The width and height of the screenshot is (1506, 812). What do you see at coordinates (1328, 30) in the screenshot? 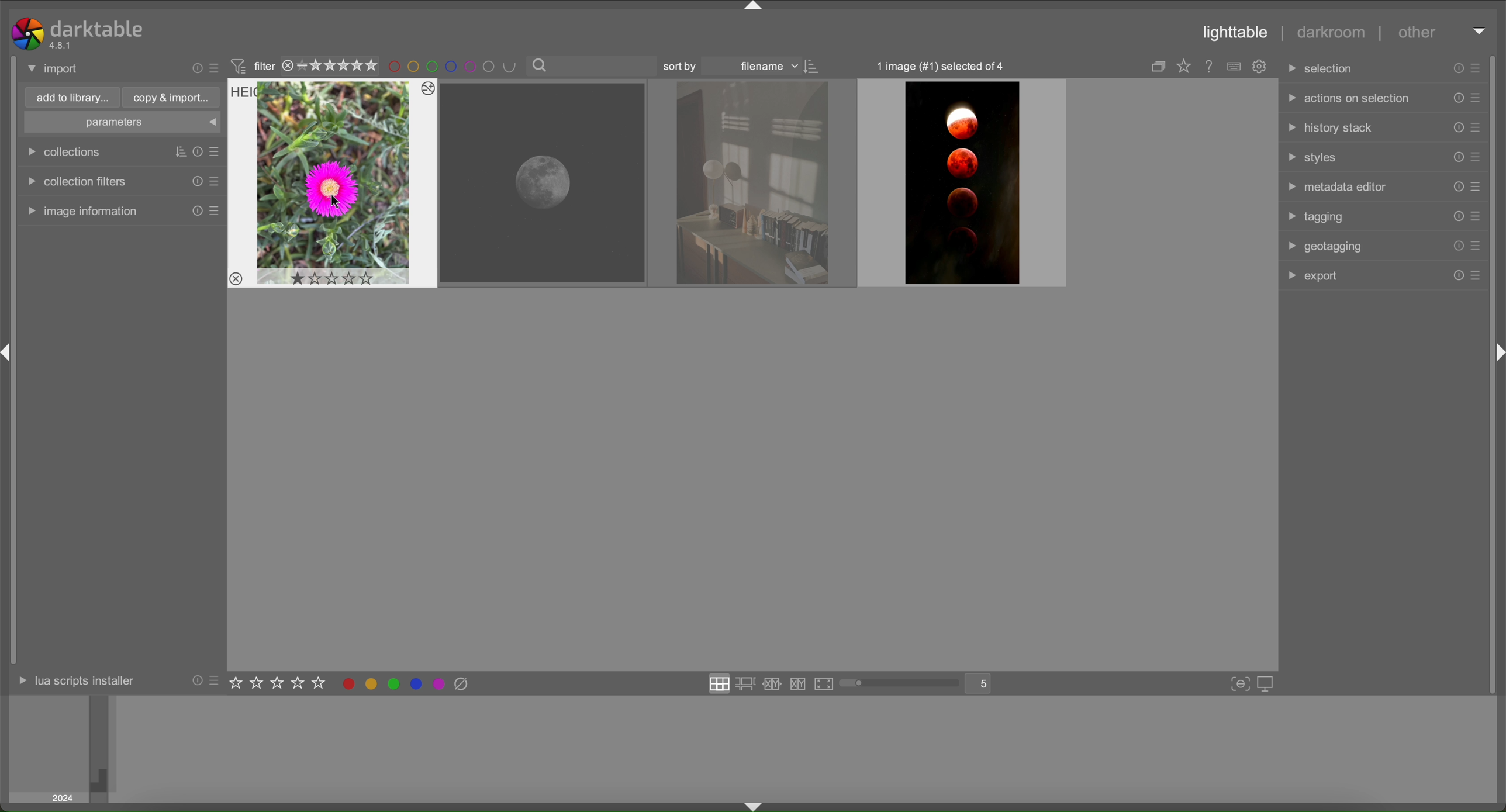
I see `darkroom` at bounding box center [1328, 30].